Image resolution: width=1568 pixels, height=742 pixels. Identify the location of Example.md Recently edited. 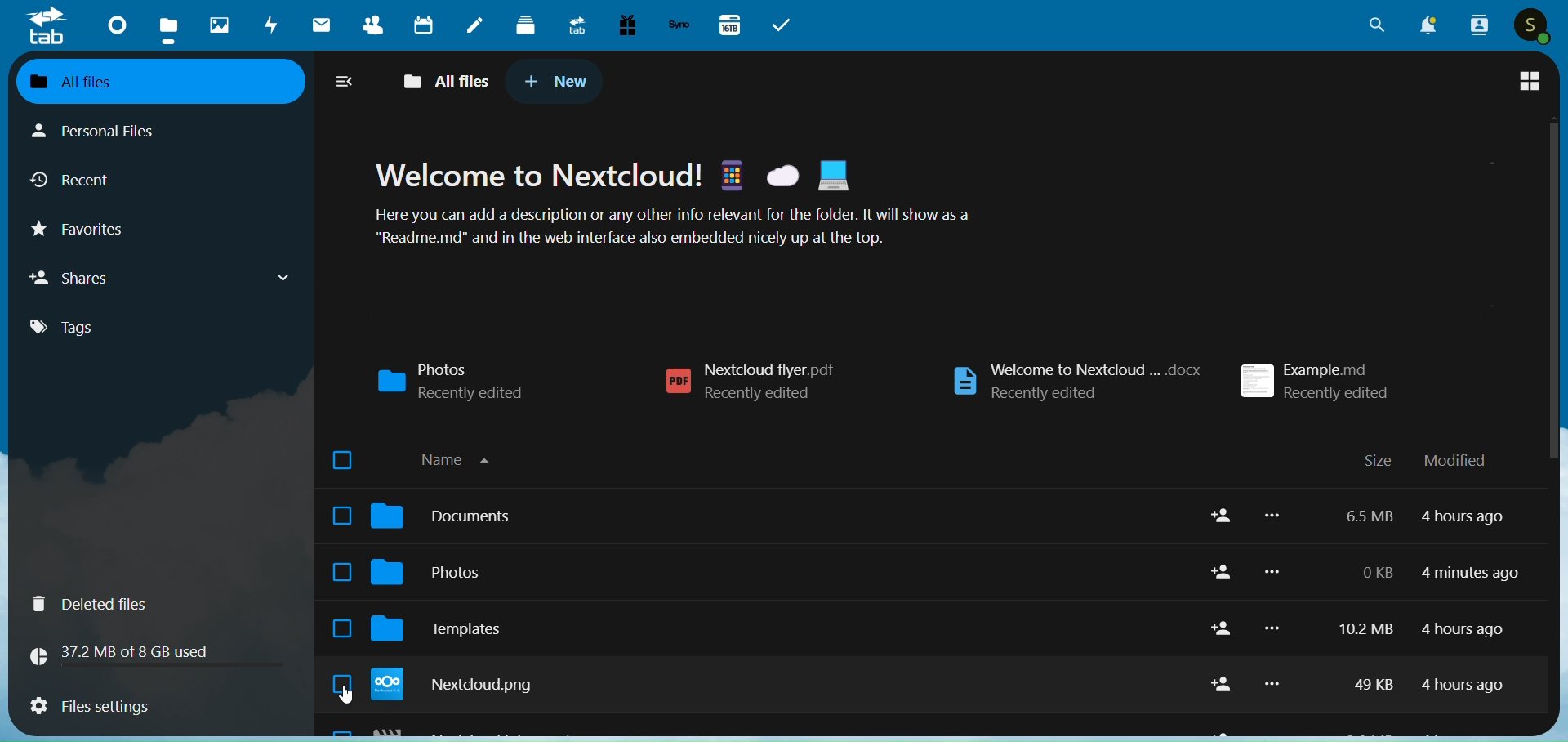
(1316, 381).